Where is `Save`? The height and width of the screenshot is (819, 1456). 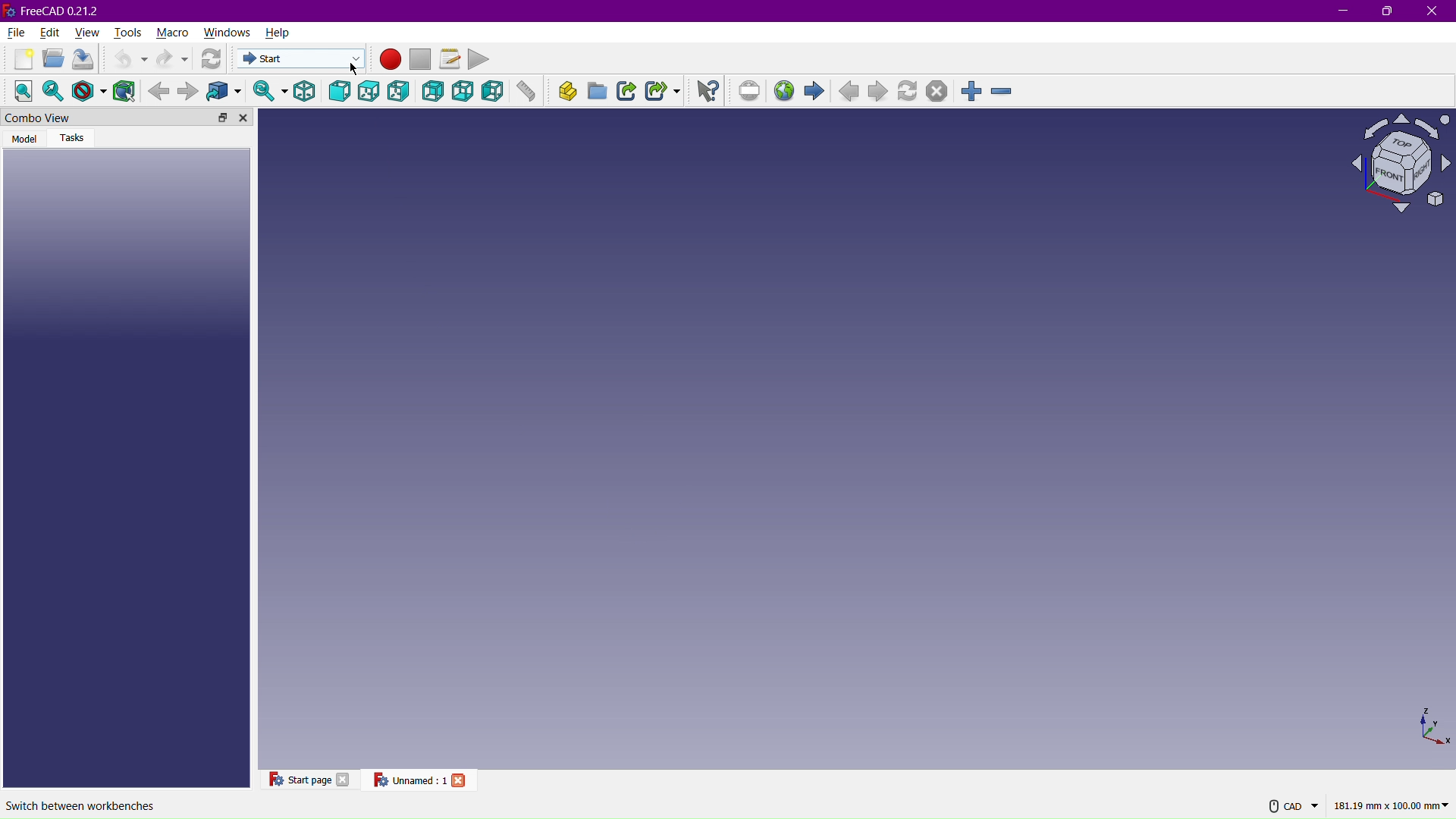
Save is located at coordinates (83, 58).